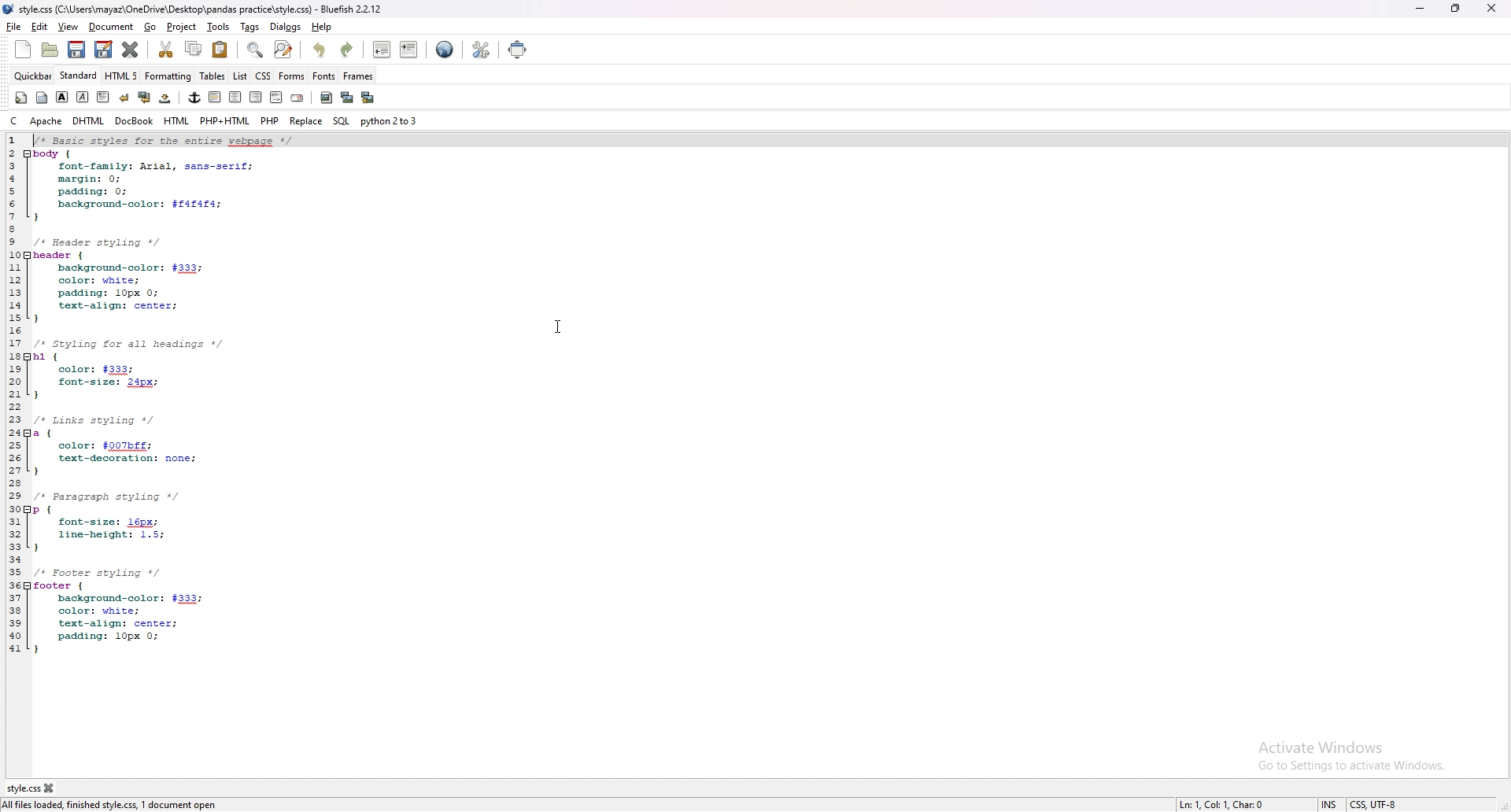 The width and height of the screenshot is (1511, 812). I want to click on docbook, so click(135, 121).